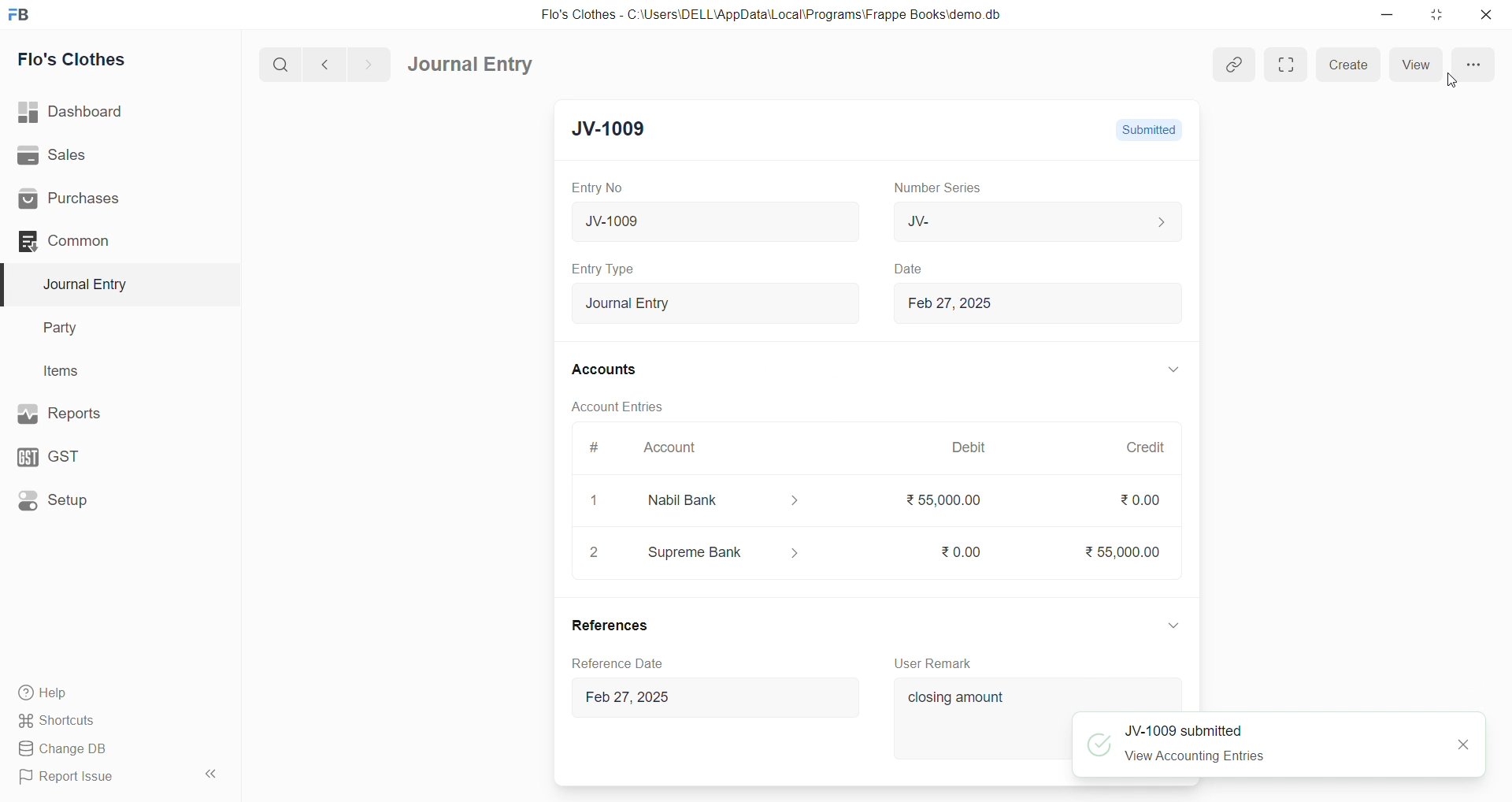 Image resolution: width=1512 pixels, height=802 pixels. Describe the element at coordinates (1132, 500) in the screenshot. I see `₹0.00` at that location.